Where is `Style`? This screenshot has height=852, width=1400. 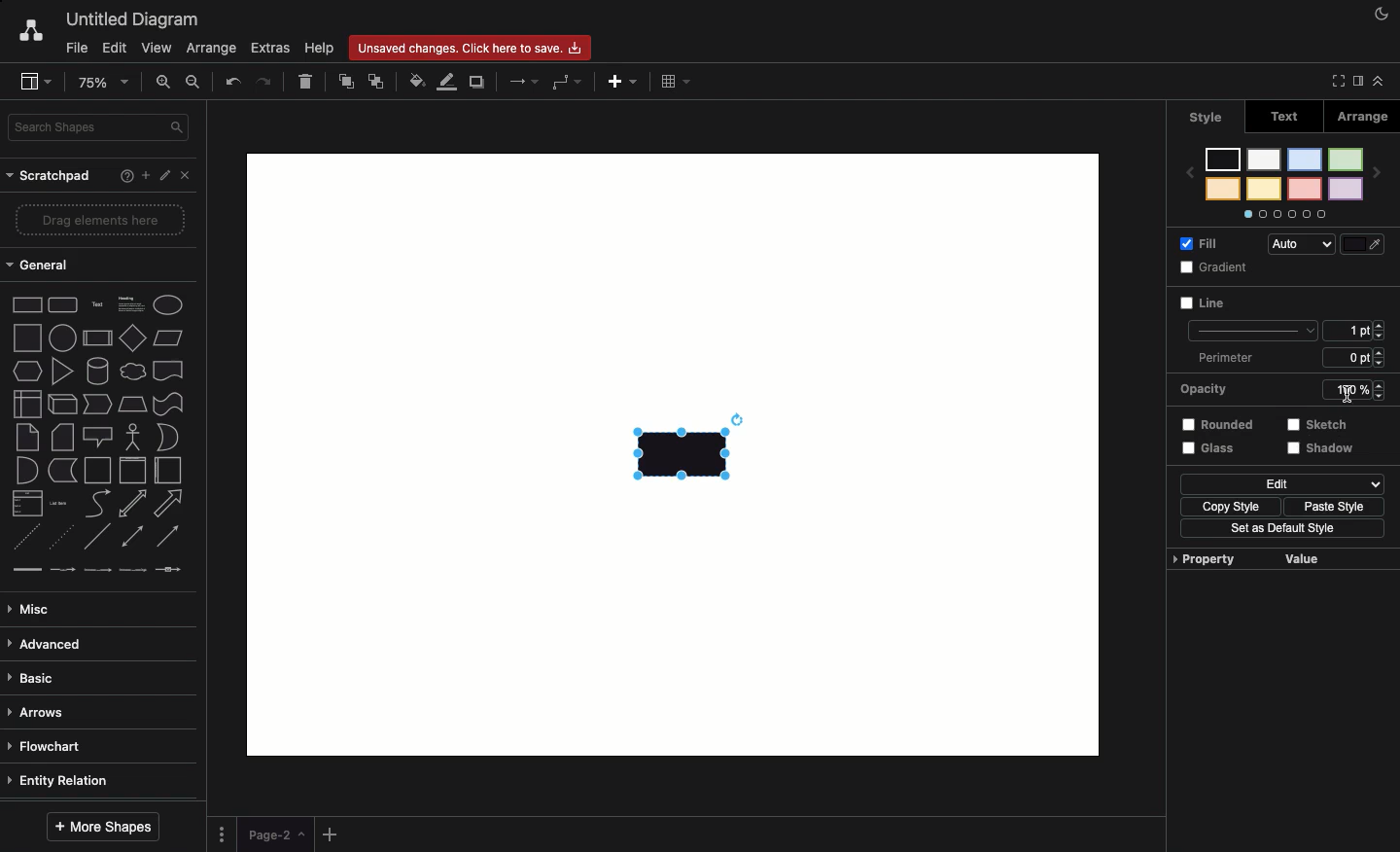
Style is located at coordinates (1201, 119).